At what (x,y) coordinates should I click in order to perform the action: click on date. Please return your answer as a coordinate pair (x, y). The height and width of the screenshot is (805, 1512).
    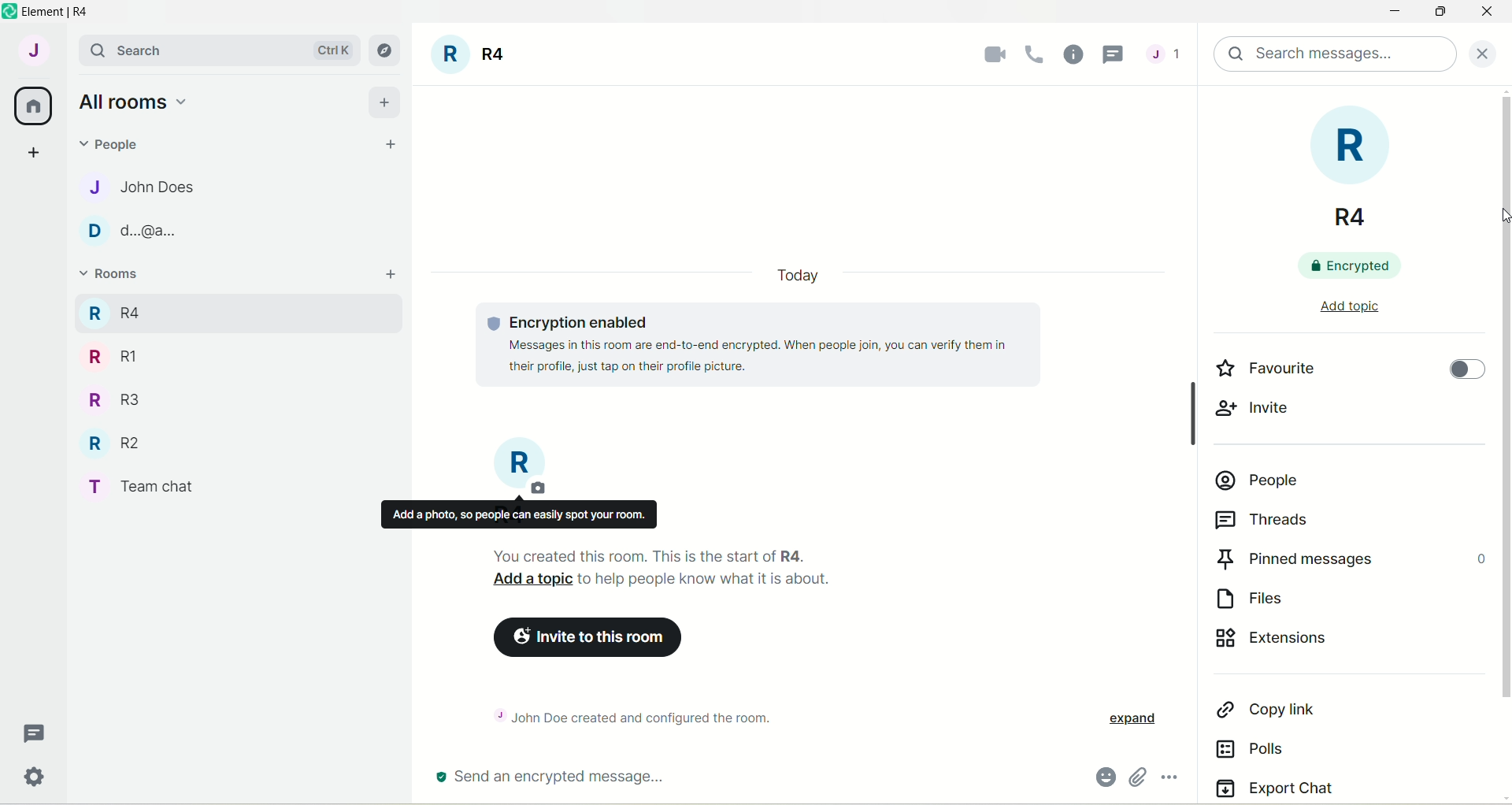
    Looking at the image, I should click on (797, 276).